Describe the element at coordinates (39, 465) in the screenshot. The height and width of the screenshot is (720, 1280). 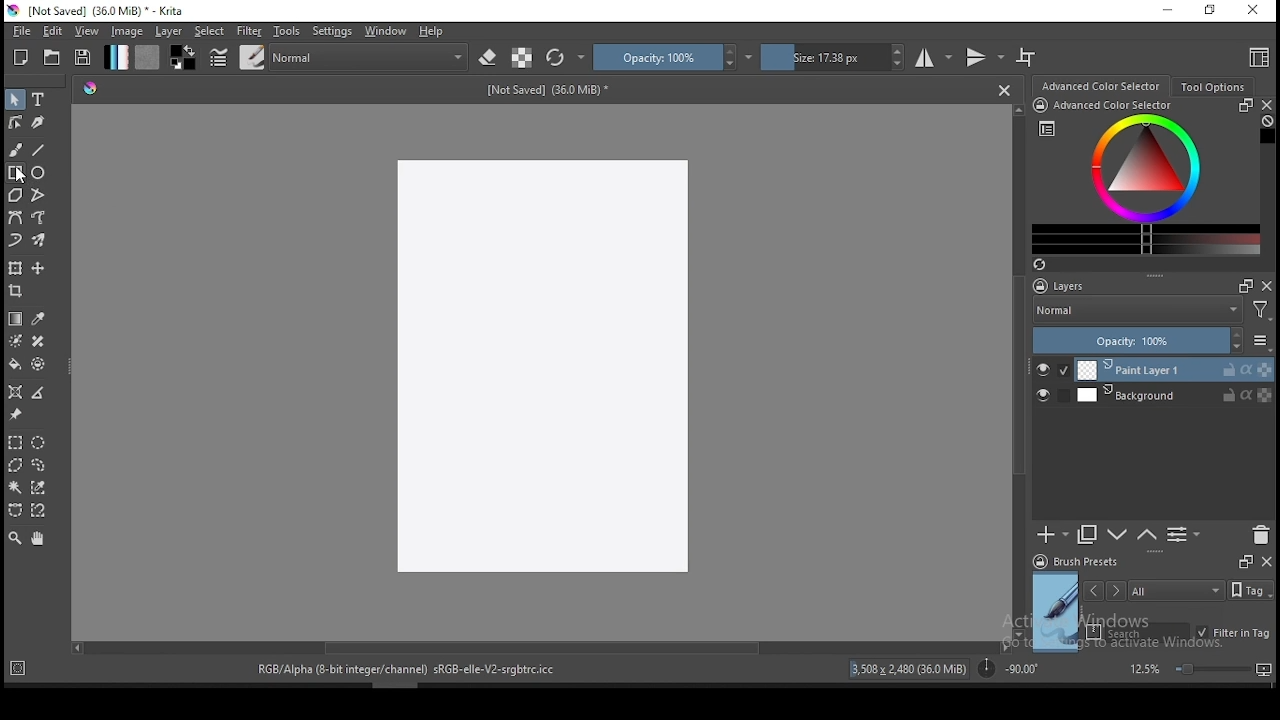
I see `freehand selection tool` at that location.